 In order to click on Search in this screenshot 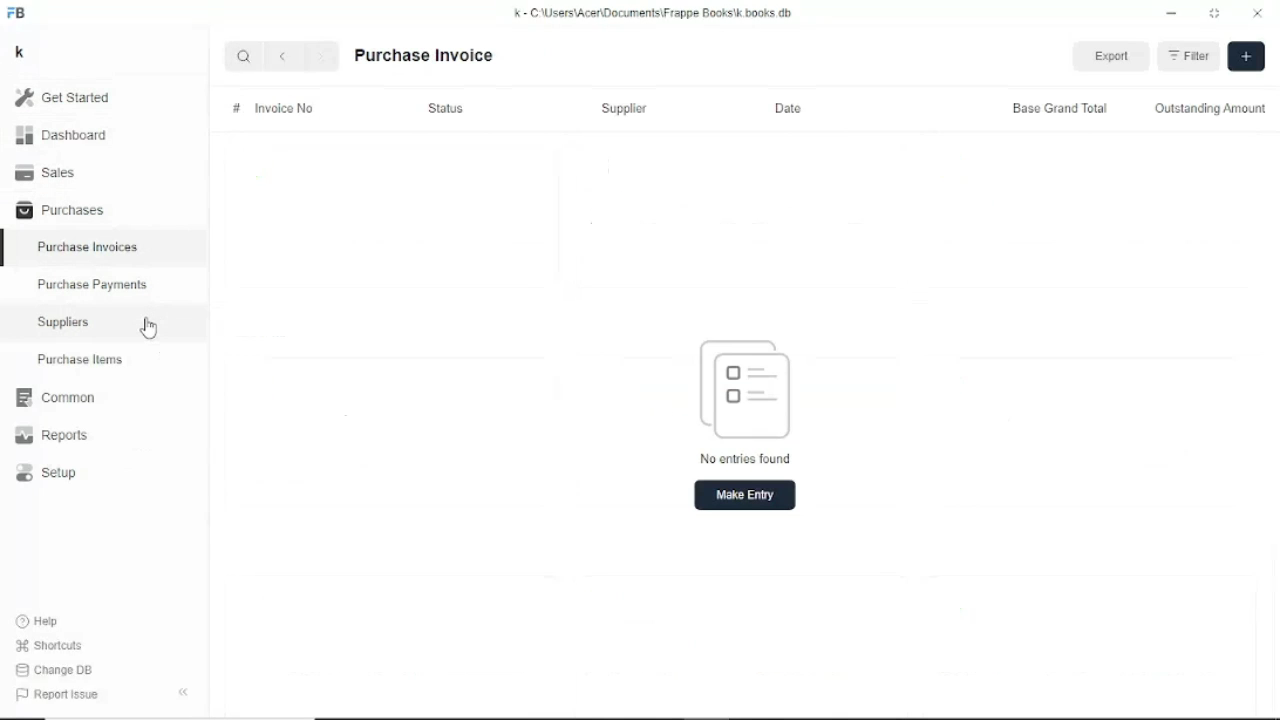, I will do `click(244, 56)`.